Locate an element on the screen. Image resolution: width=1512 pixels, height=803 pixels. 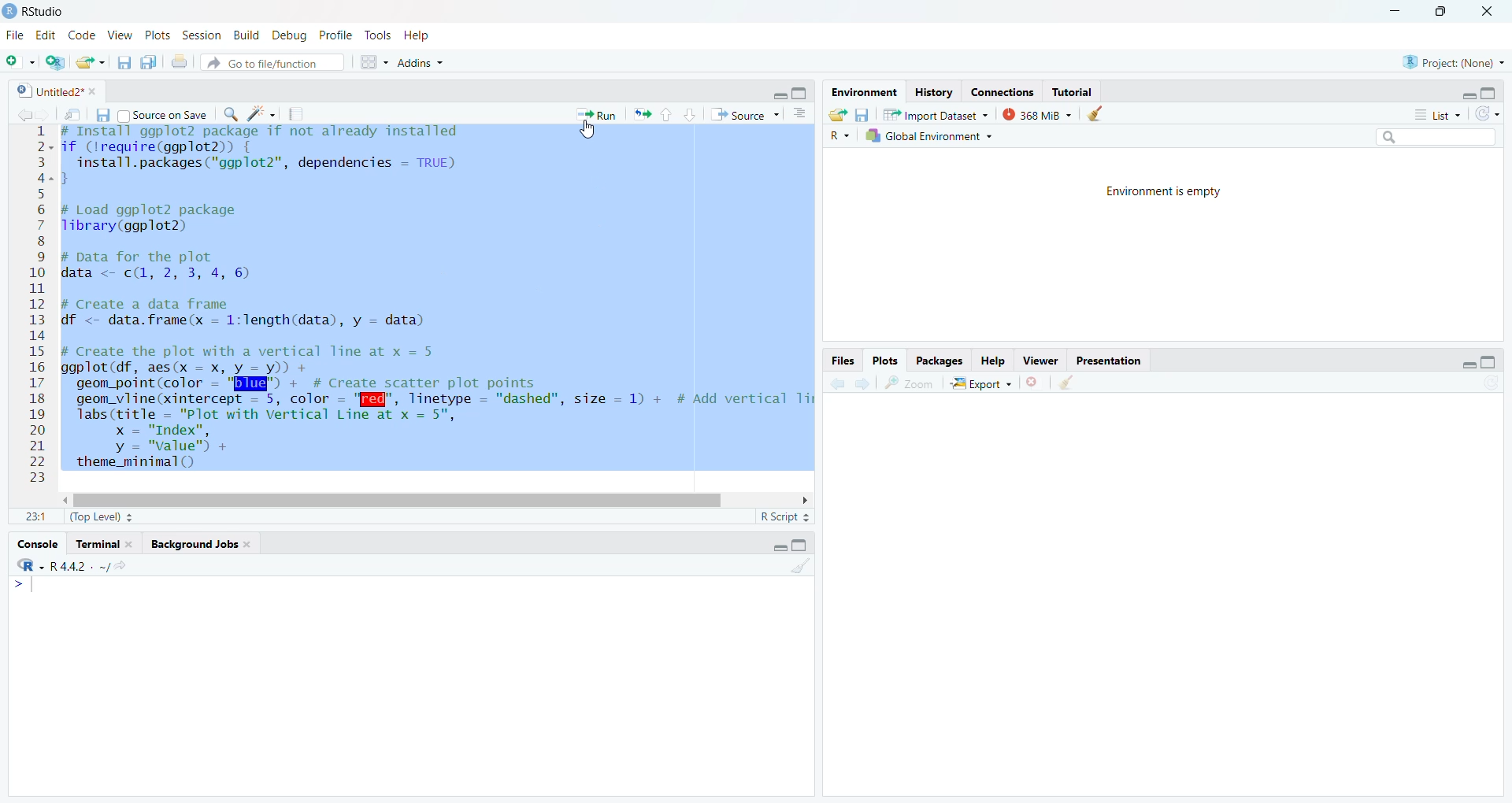
cursor is located at coordinates (590, 130).